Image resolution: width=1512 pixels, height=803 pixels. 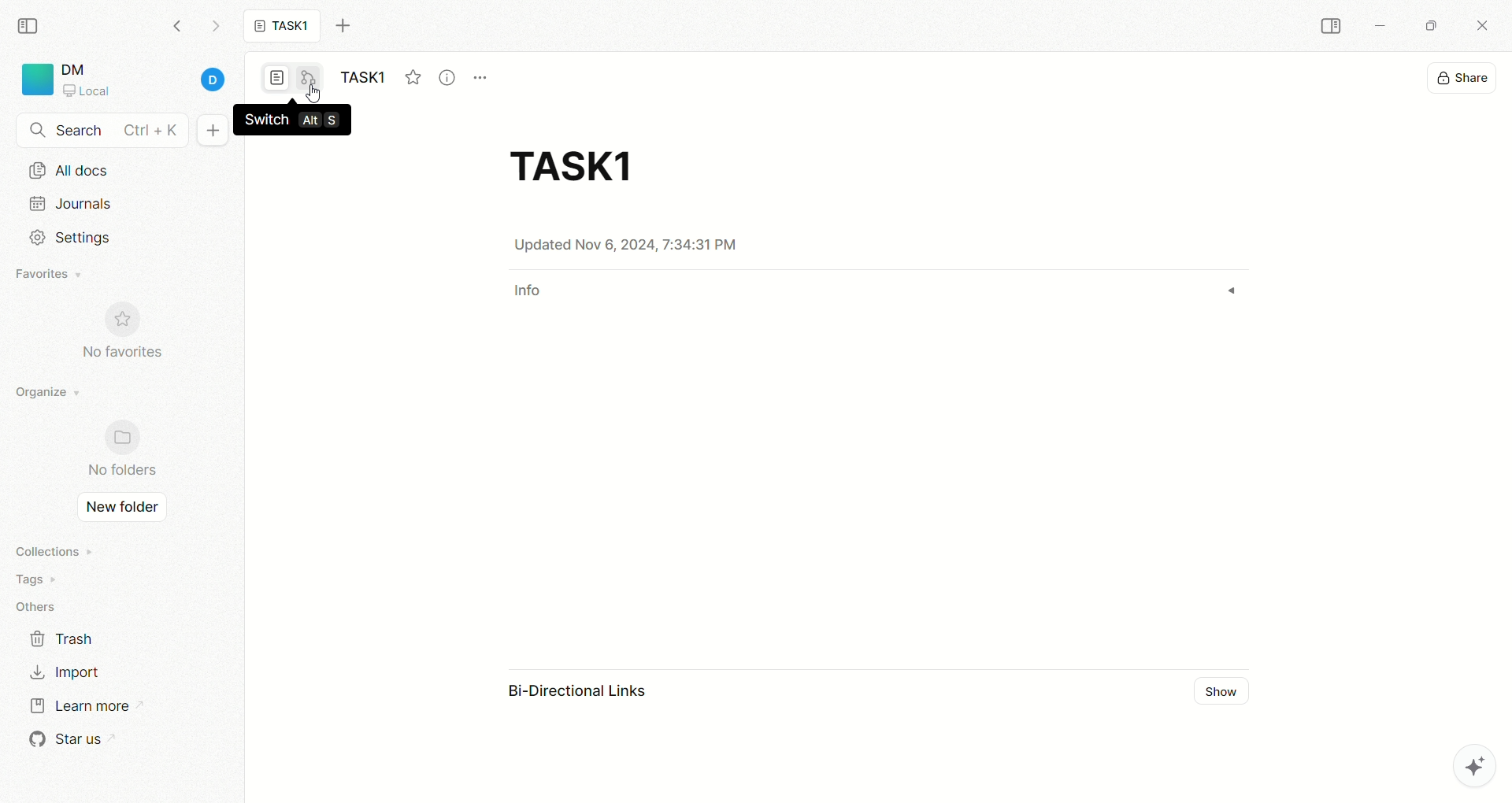 What do you see at coordinates (117, 509) in the screenshot?
I see `new folder` at bounding box center [117, 509].